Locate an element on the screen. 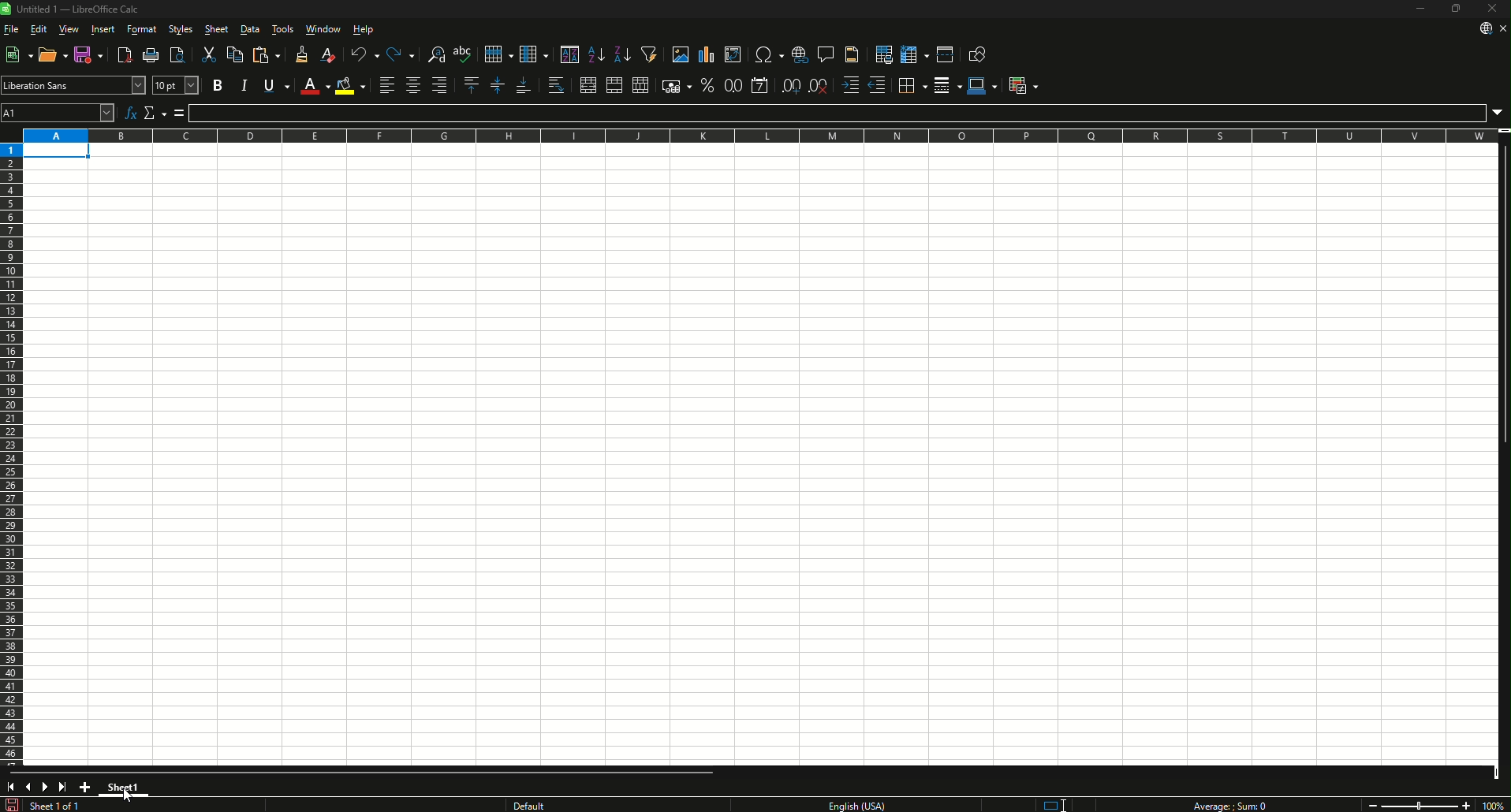 The width and height of the screenshot is (1511, 812). Zoom slider is located at coordinates (1420, 805).